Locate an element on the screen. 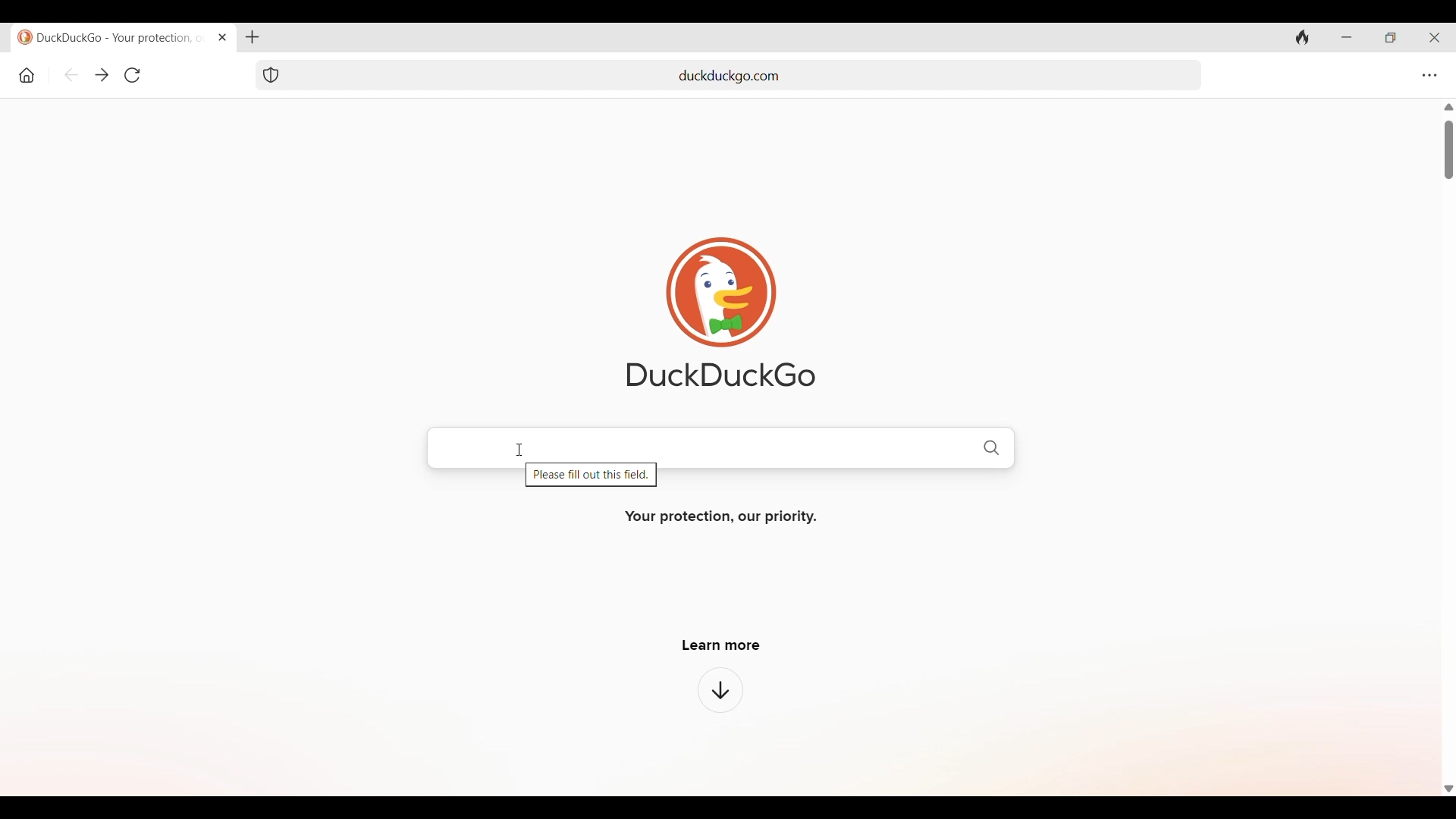  Please fill out this field. is located at coordinates (591, 478).